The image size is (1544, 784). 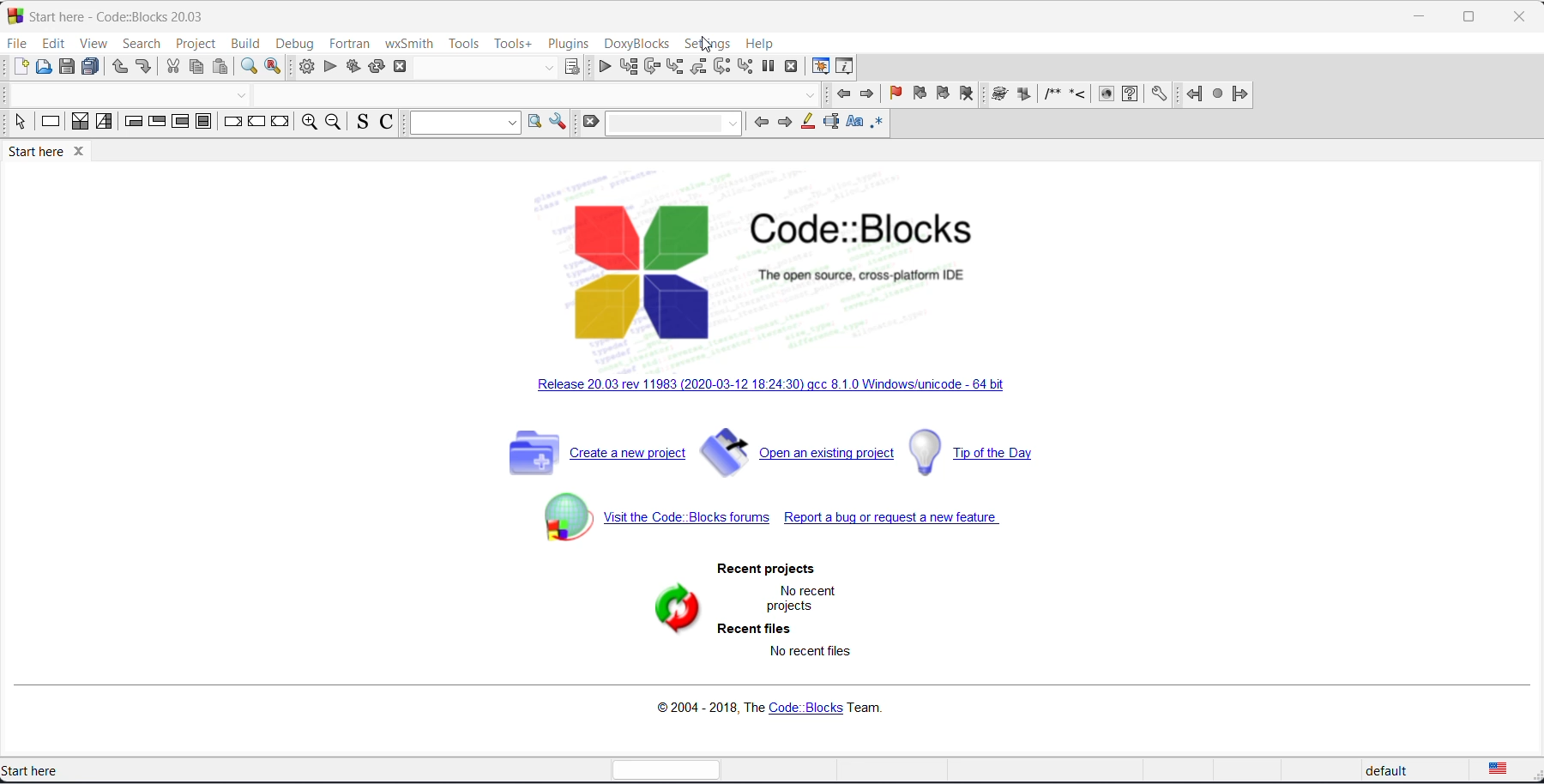 What do you see at coordinates (143, 67) in the screenshot?
I see `redo` at bounding box center [143, 67].